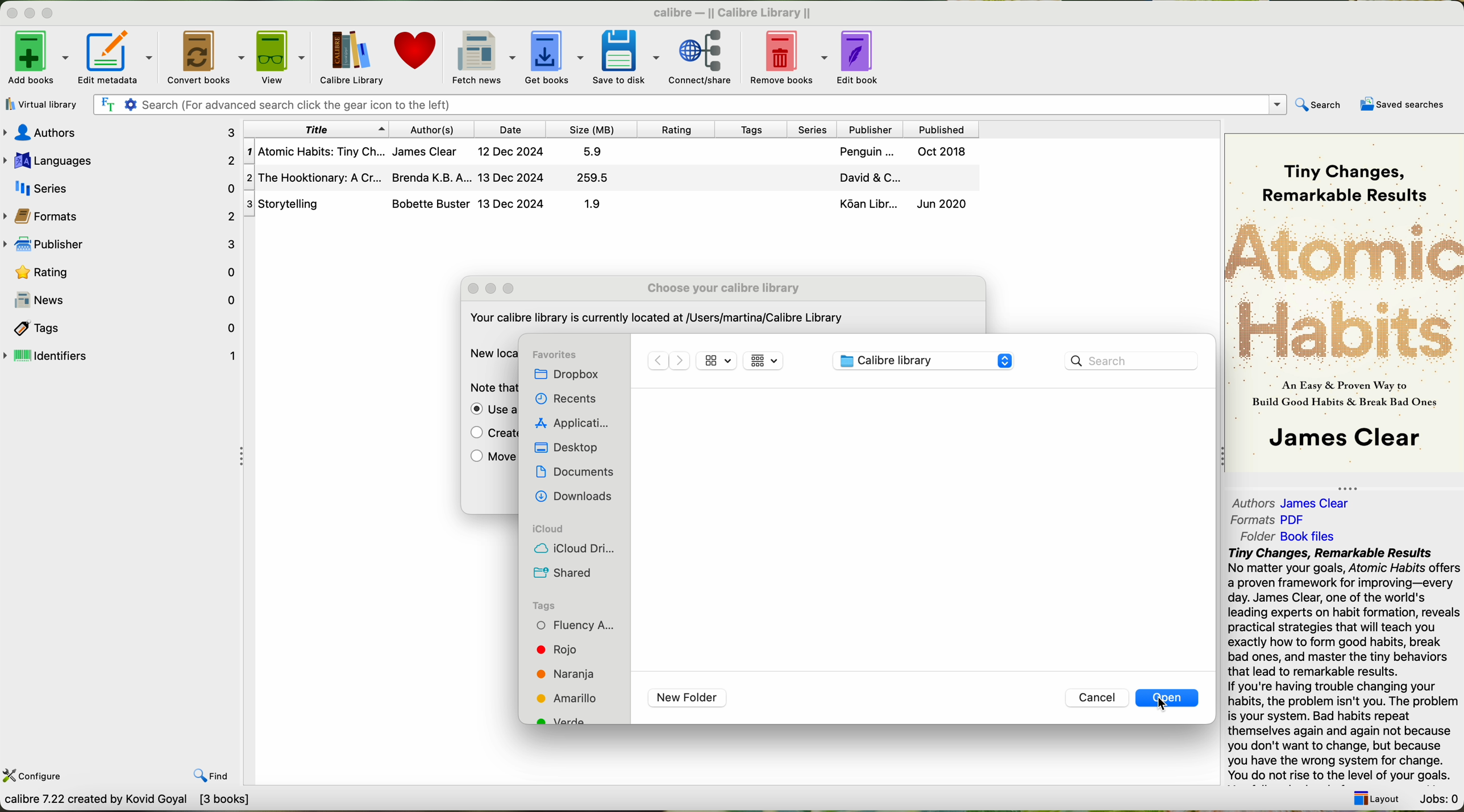 The width and height of the screenshot is (1464, 812). What do you see at coordinates (756, 130) in the screenshot?
I see `tags` at bounding box center [756, 130].